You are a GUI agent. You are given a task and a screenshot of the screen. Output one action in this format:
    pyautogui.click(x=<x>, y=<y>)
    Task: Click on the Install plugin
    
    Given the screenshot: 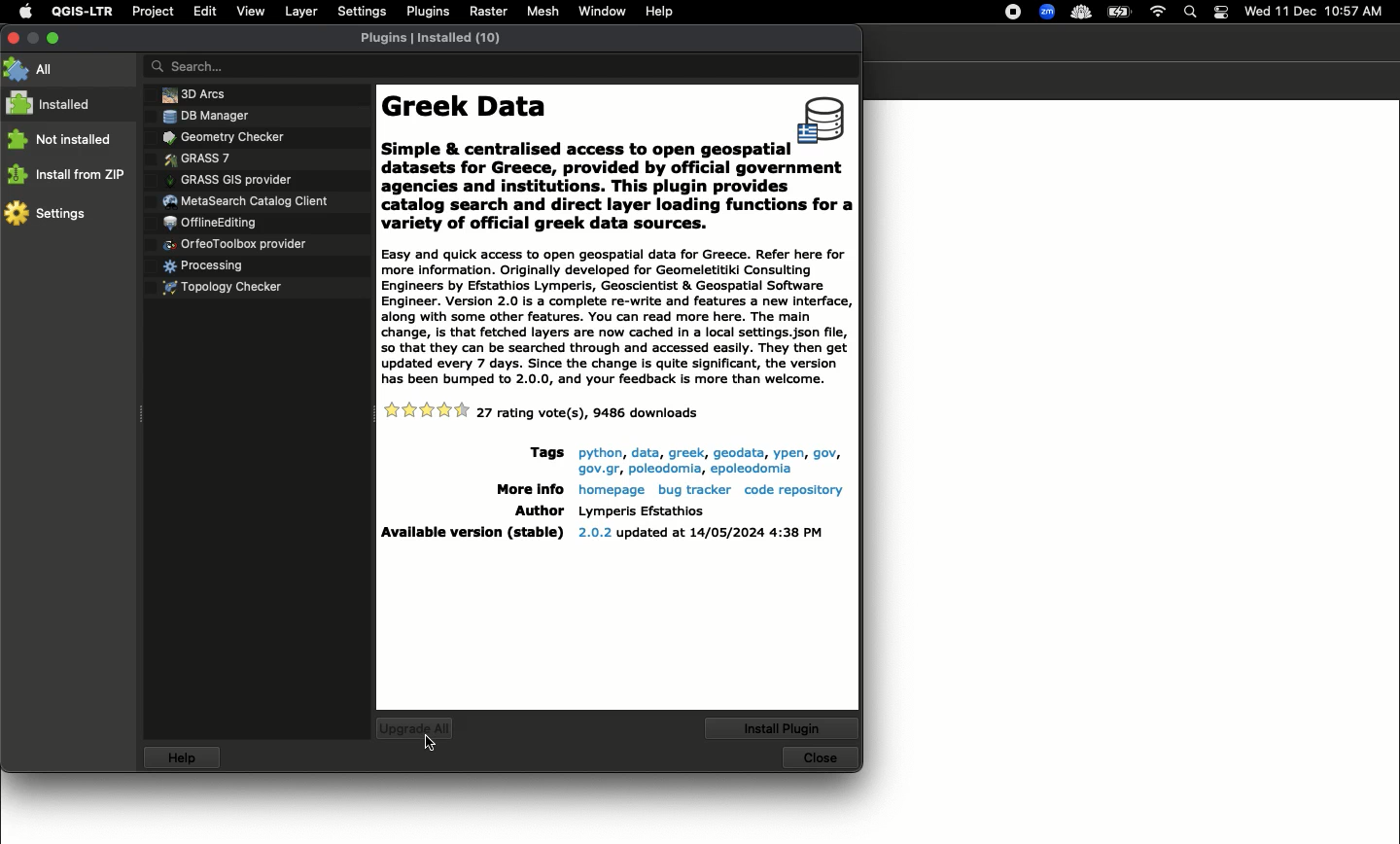 What is the action you would take?
    pyautogui.click(x=784, y=727)
    